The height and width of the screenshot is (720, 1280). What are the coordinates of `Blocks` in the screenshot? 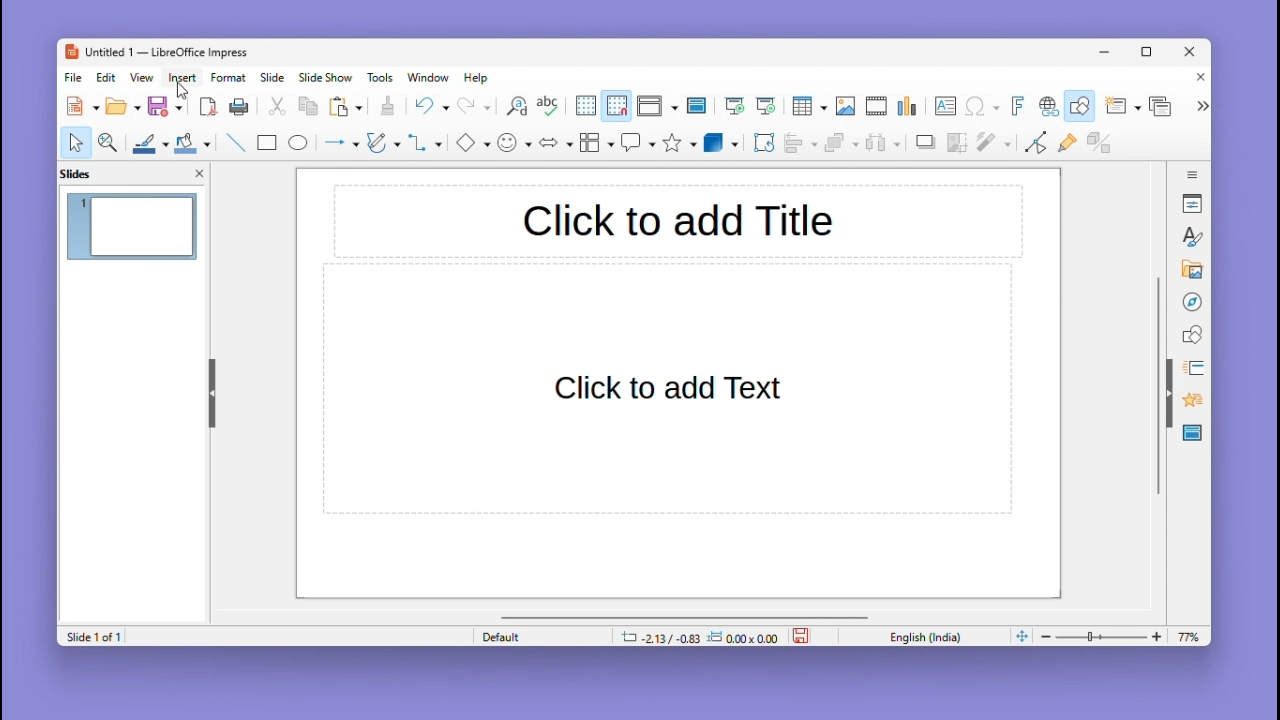 It's located at (597, 142).